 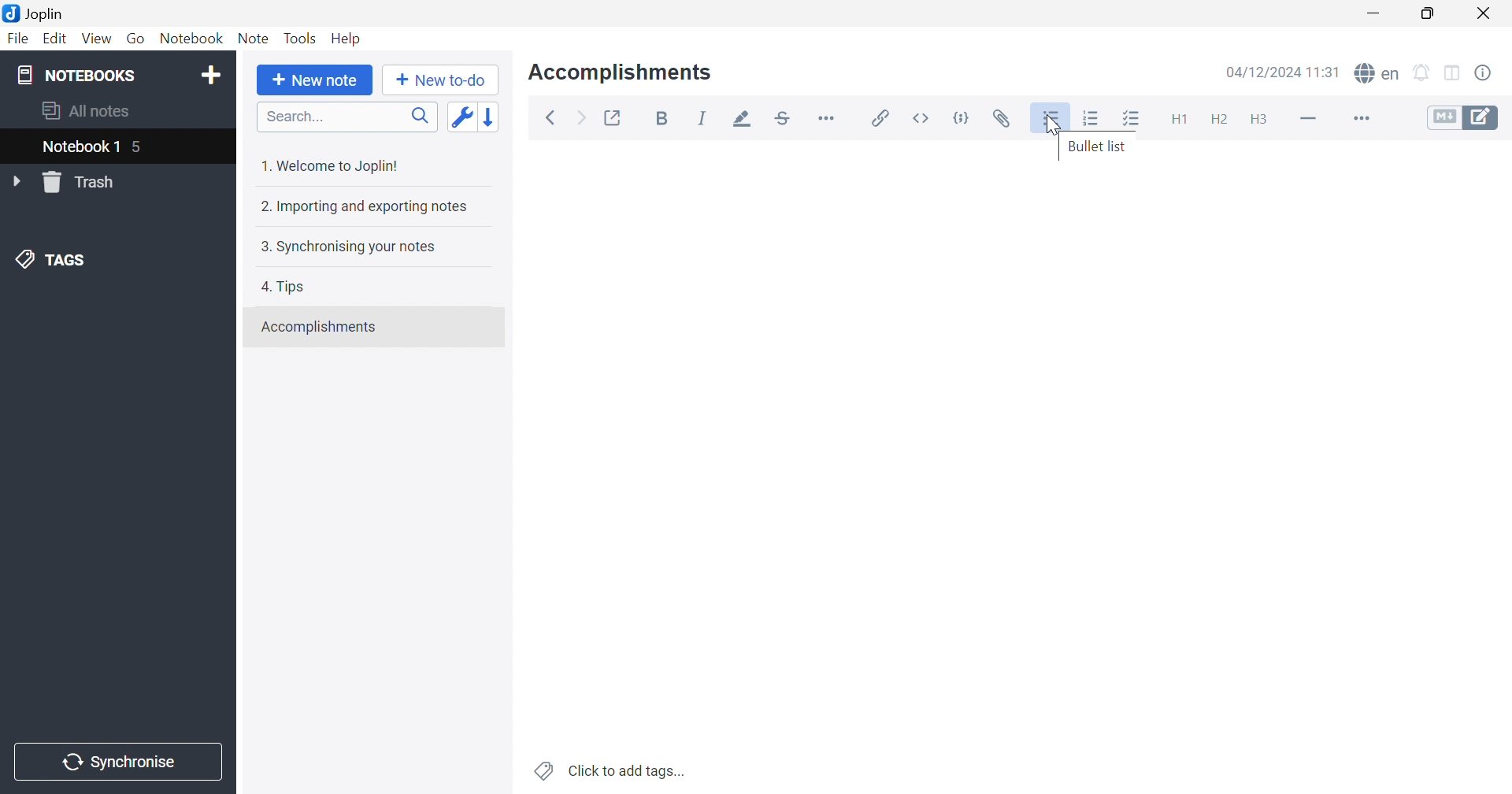 What do you see at coordinates (253, 40) in the screenshot?
I see `Note` at bounding box center [253, 40].